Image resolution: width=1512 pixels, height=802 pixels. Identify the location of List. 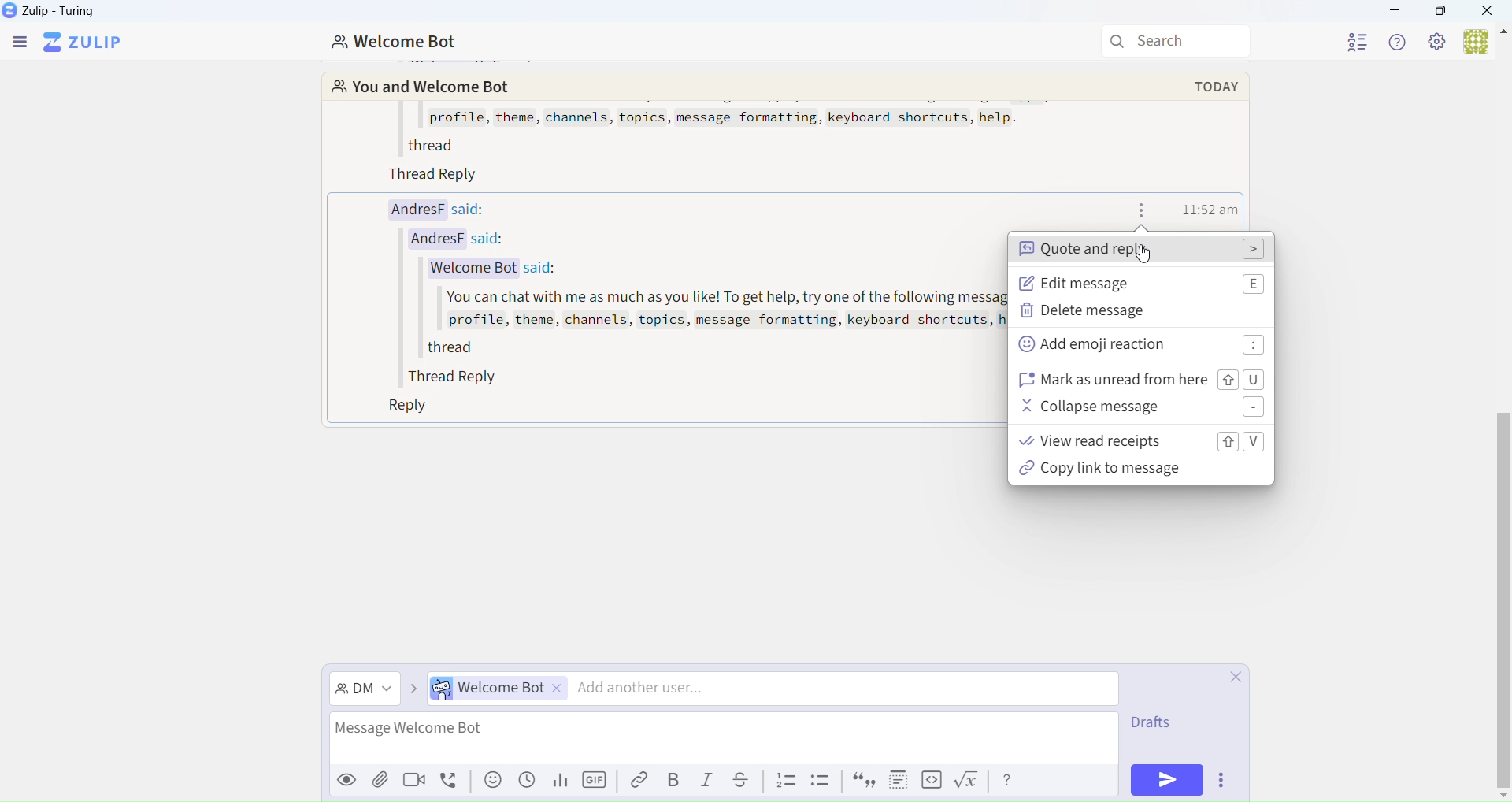
(785, 781).